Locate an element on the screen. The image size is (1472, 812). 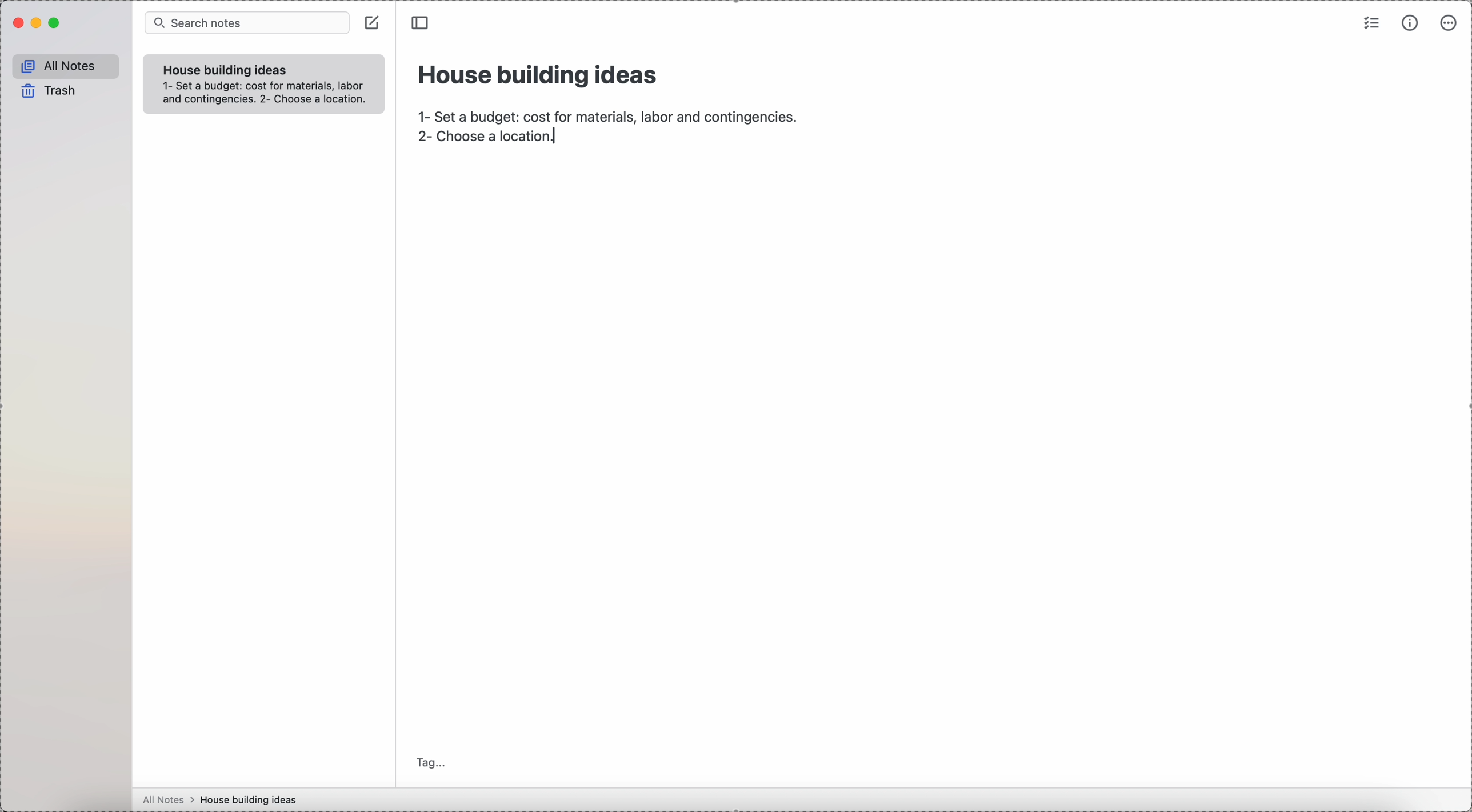
1- Set a budget: cost for materials, labor
and contingencies. 2- Choose a location. is located at coordinates (264, 94).